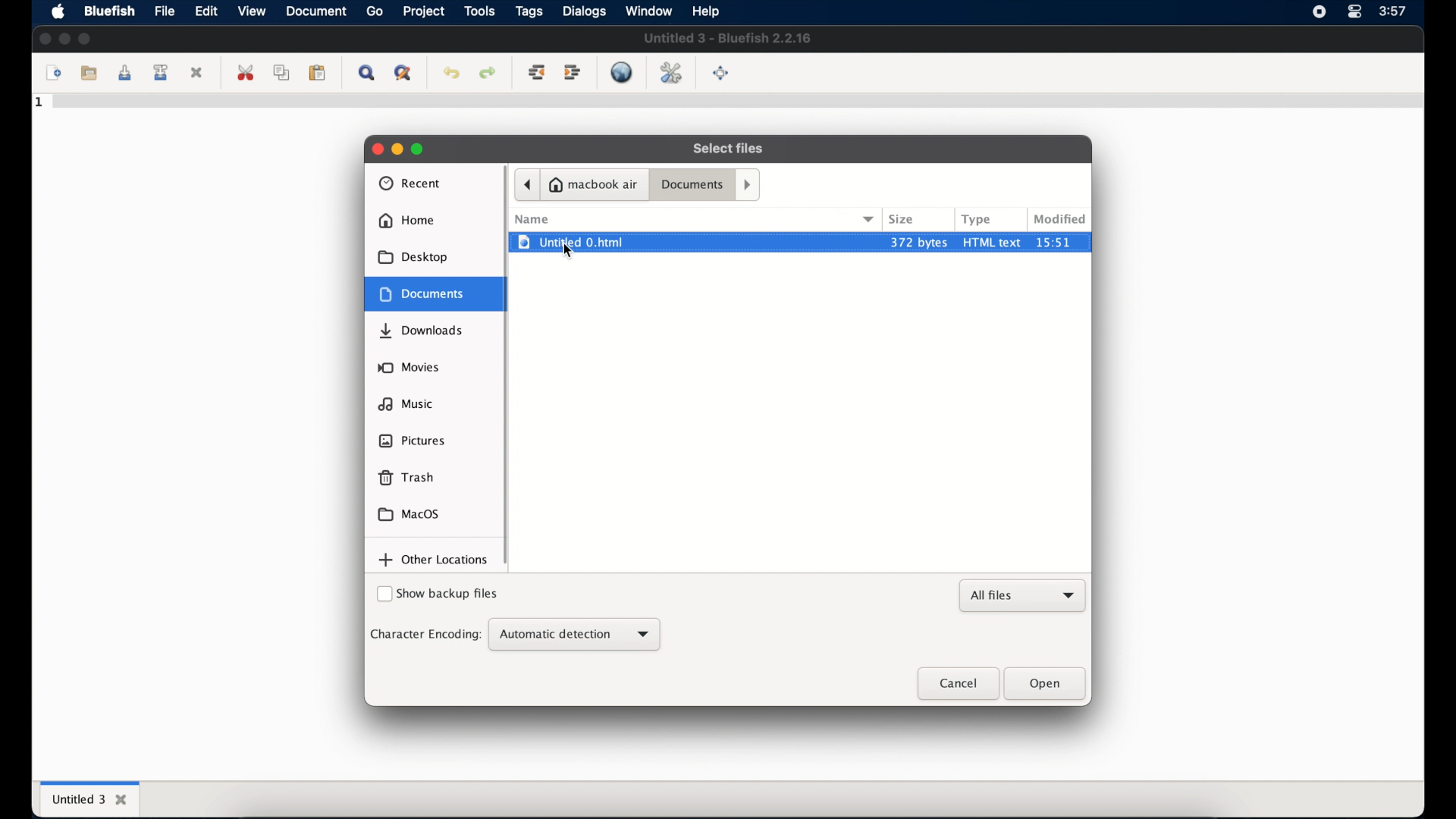  Describe the element at coordinates (956, 684) in the screenshot. I see `close` at that location.